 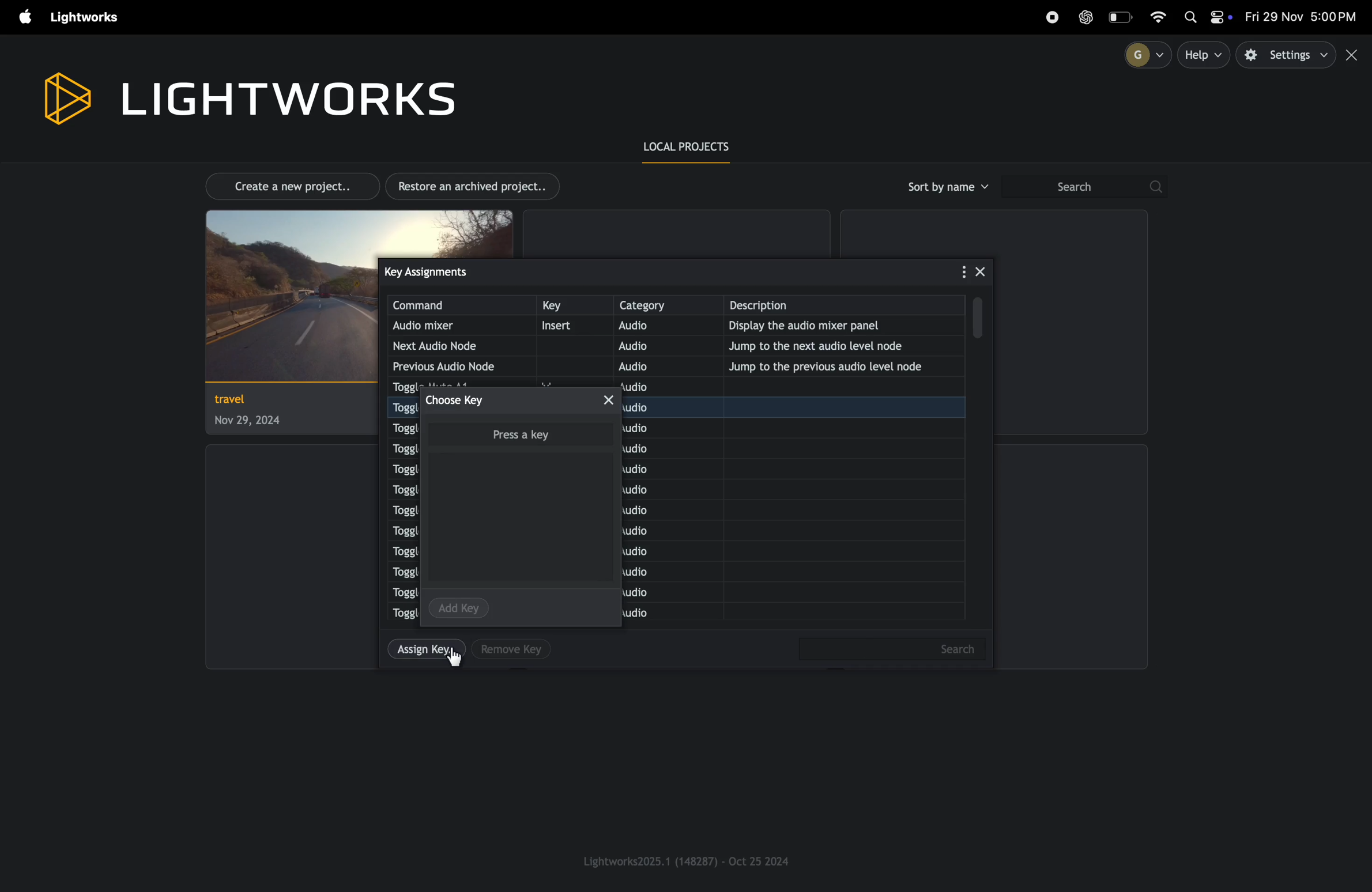 What do you see at coordinates (20, 18) in the screenshot?
I see `apple menu` at bounding box center [20, 18].